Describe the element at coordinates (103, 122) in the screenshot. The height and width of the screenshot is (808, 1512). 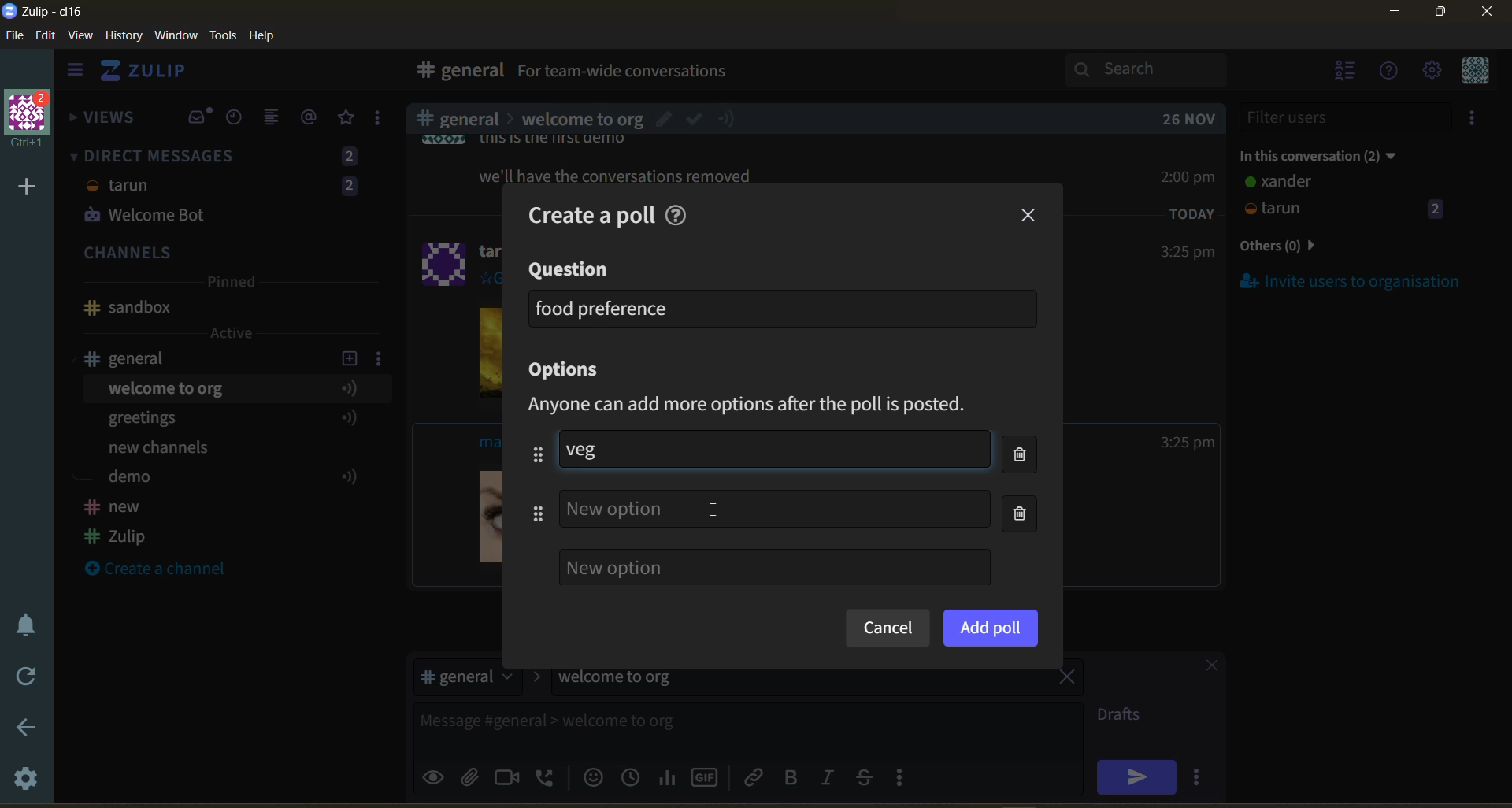
I see `views` at that location.